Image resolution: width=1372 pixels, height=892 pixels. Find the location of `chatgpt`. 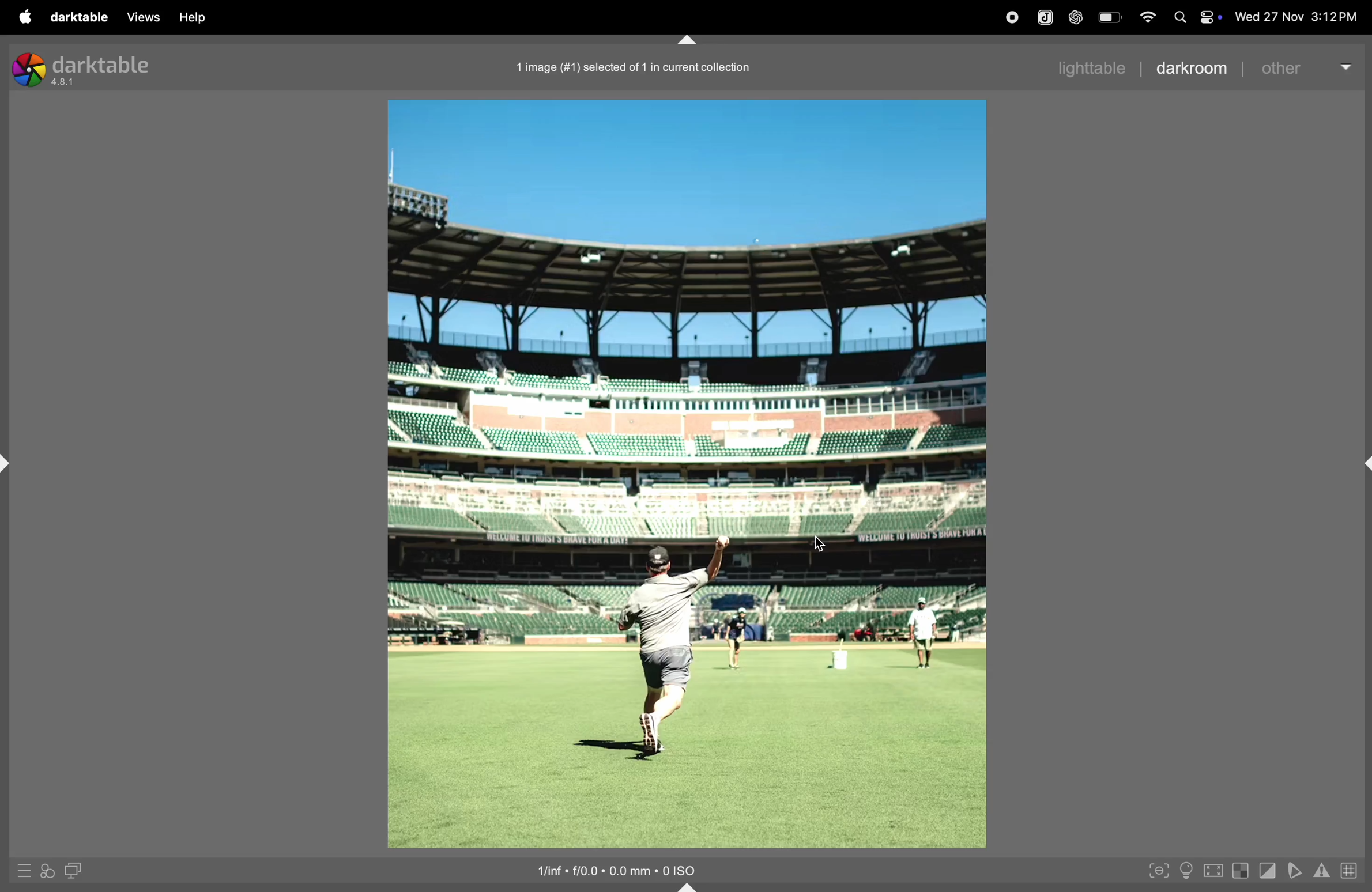

chatgpt is located at coordinates (1076, 16).